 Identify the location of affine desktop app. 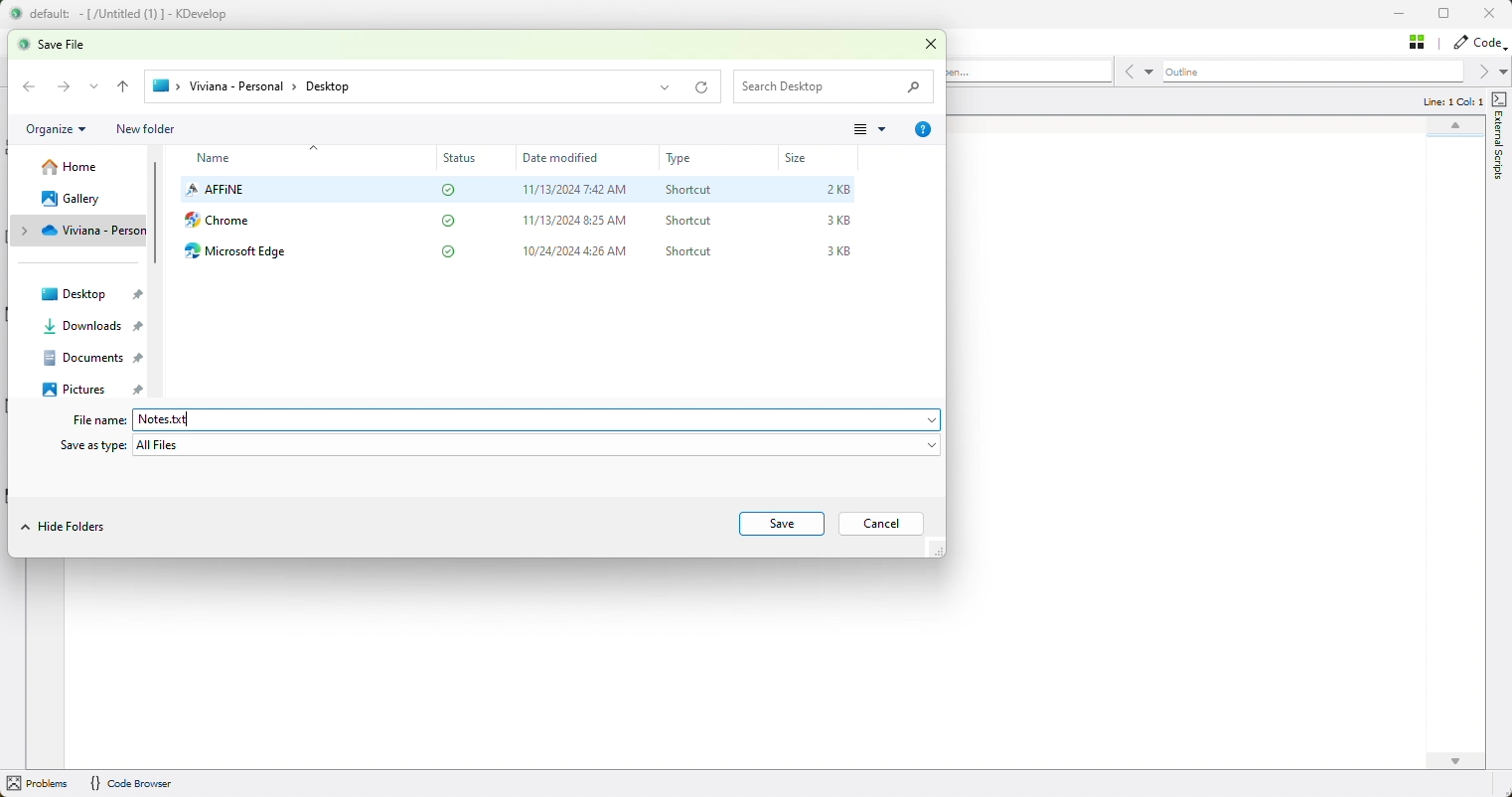
(345, 225).